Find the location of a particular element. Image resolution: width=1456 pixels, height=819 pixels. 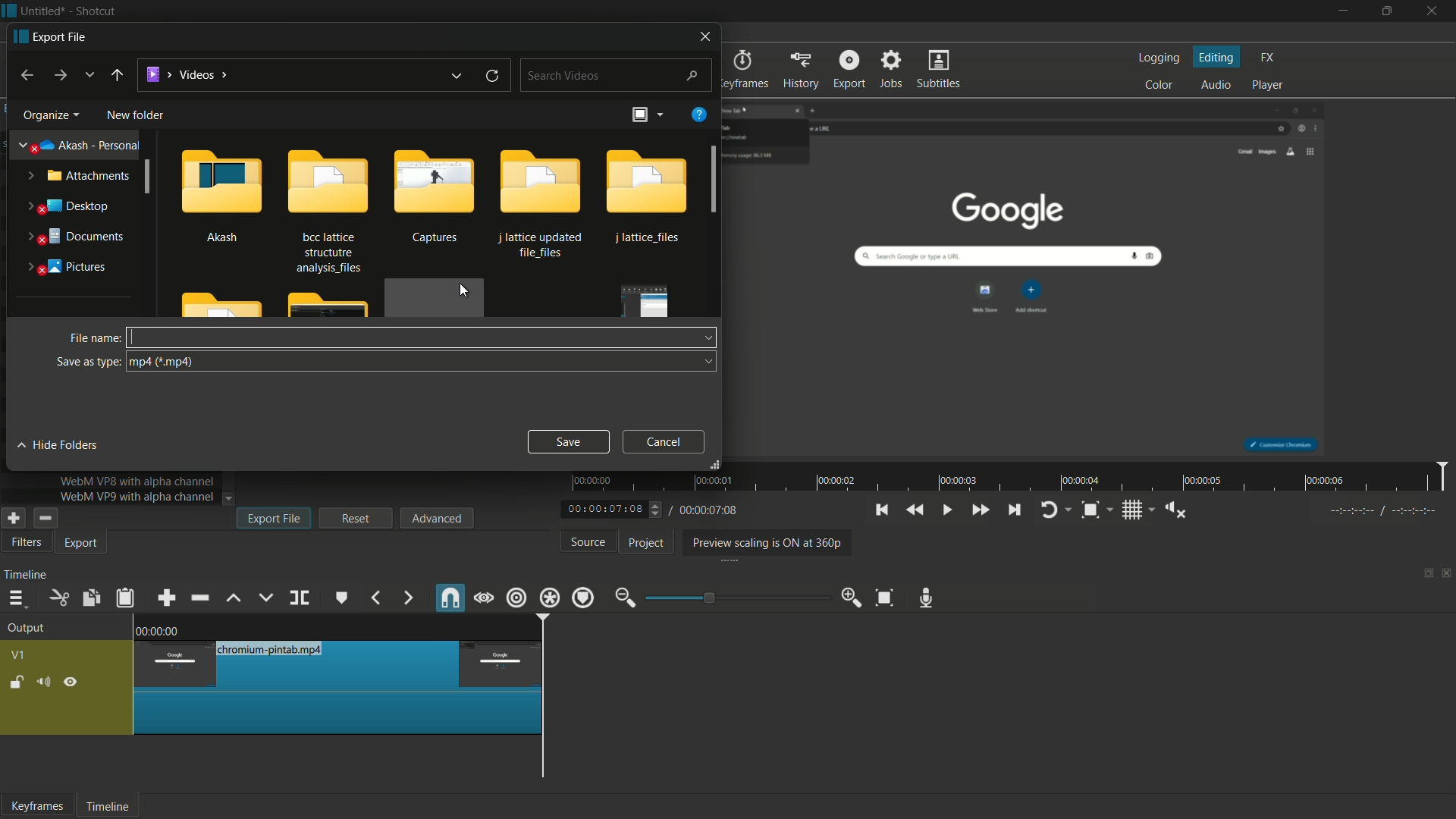

skip to the previous point is located at coordinates (880, 510).